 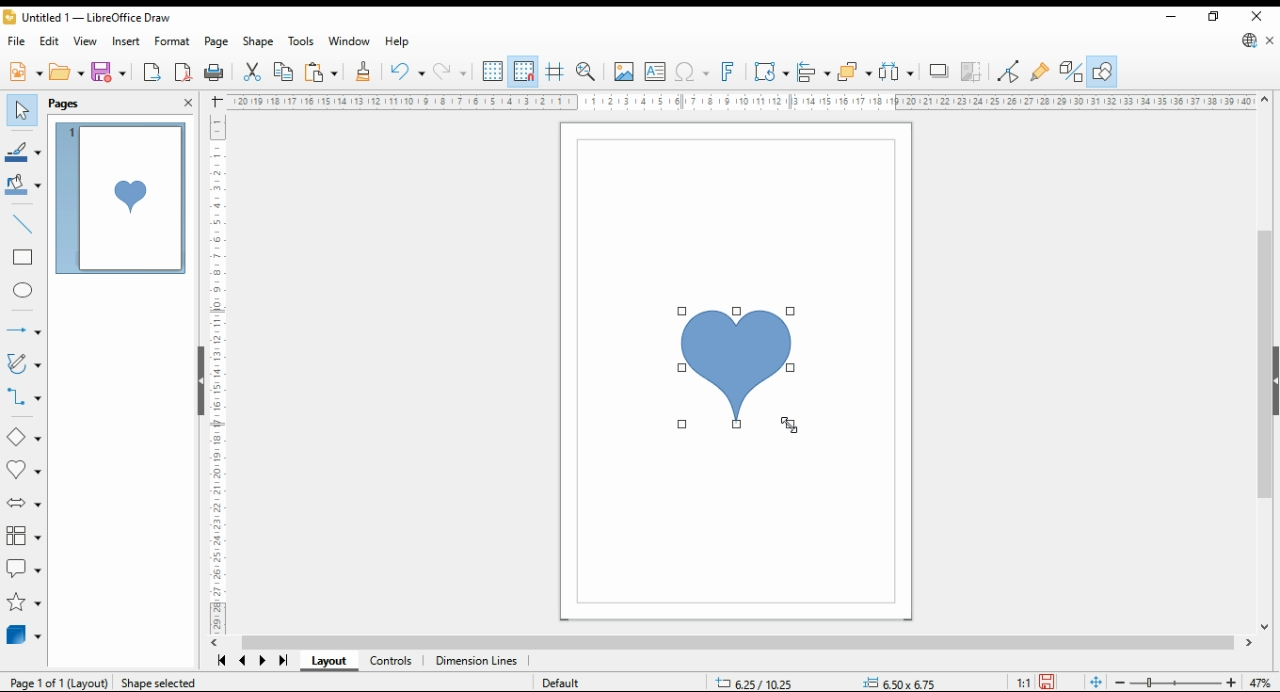 What do you see at coordinates (171, 42) in the screenshot?
I see `format` at bounding box center [171, 42].